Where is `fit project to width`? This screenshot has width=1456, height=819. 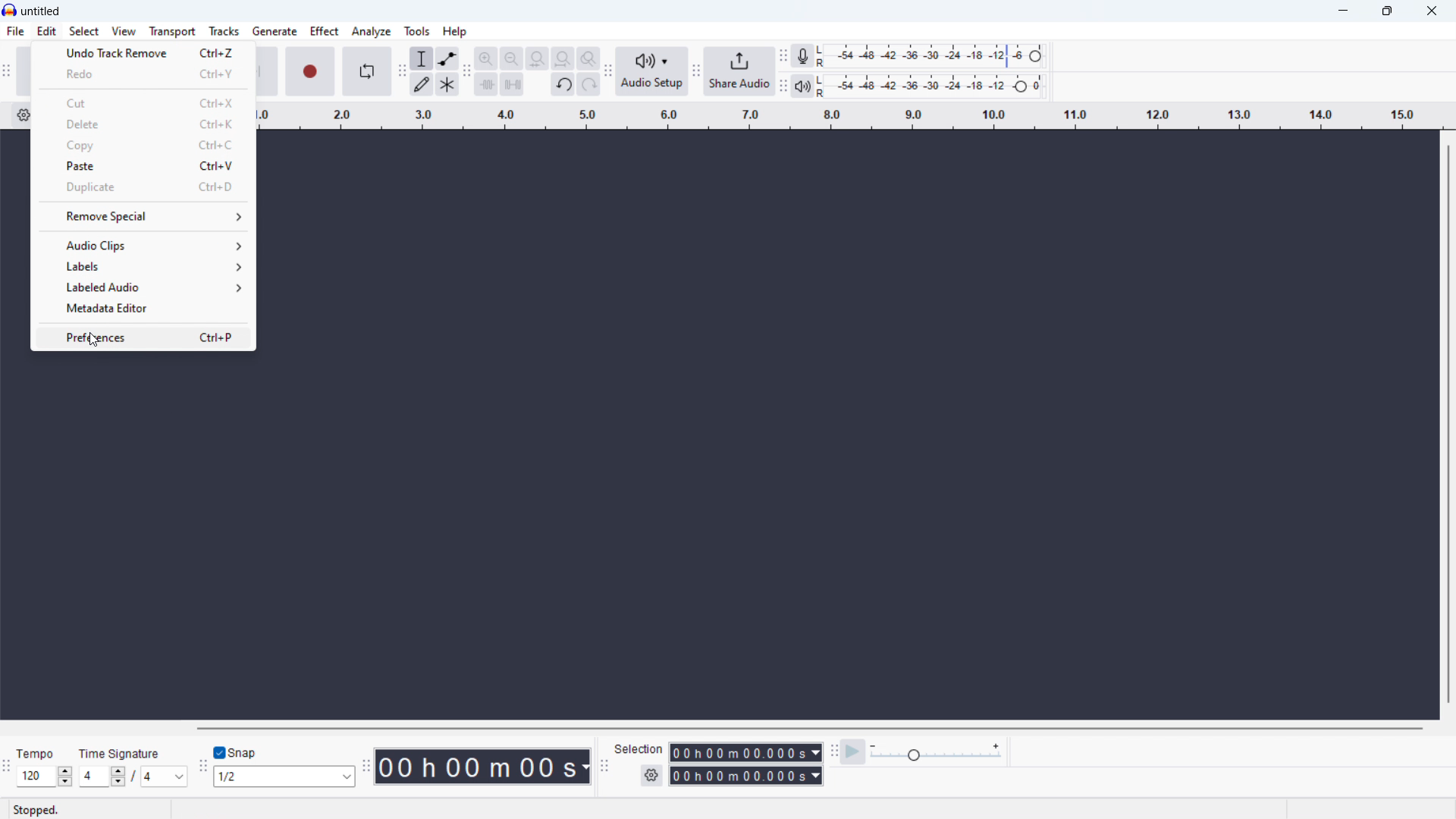 fit project to width is located at coordinates (562, 58).